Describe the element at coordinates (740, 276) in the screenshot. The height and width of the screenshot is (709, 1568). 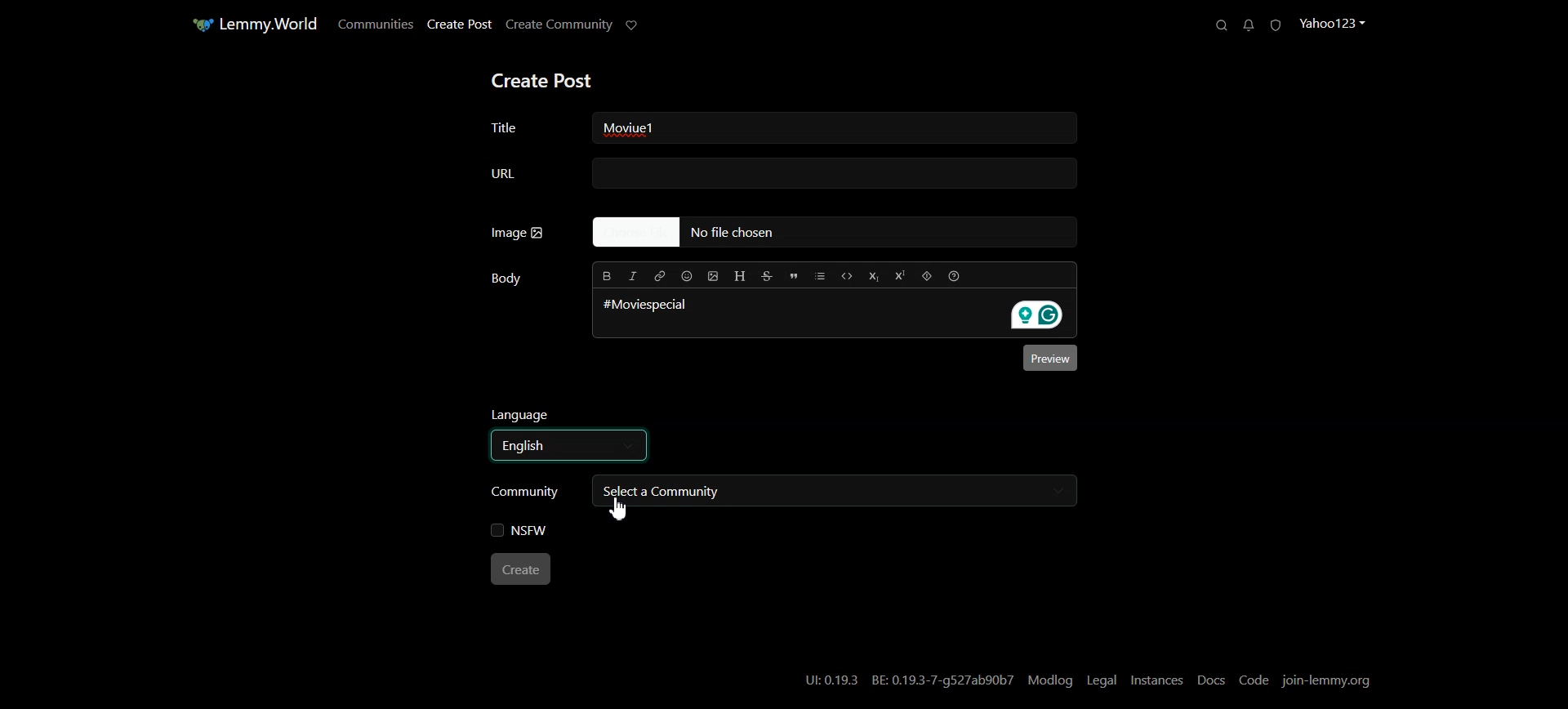
I see `Header` at that location.